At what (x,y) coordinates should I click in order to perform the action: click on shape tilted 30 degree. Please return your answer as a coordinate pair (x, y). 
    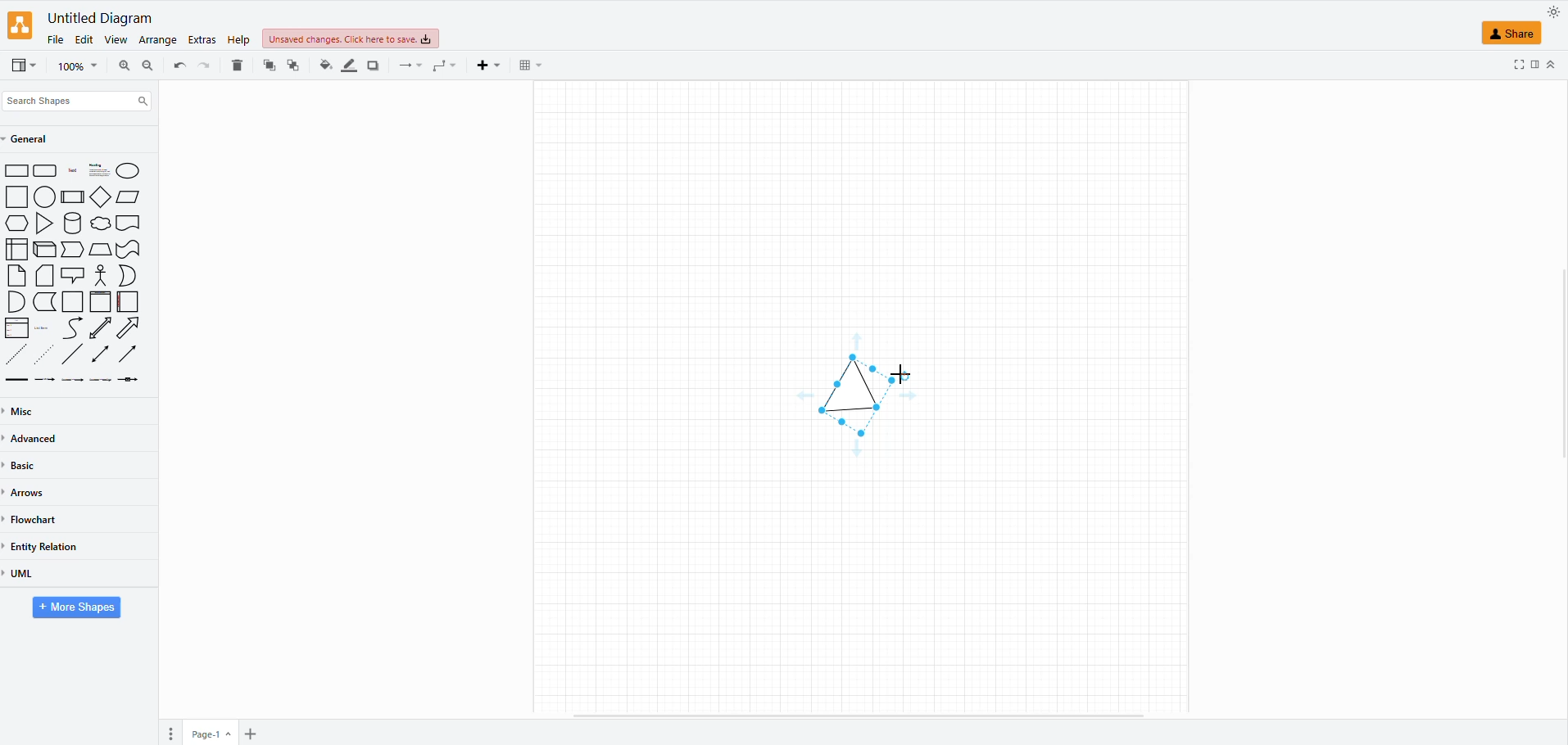
    Looking at the image, I should click on (845, 382).